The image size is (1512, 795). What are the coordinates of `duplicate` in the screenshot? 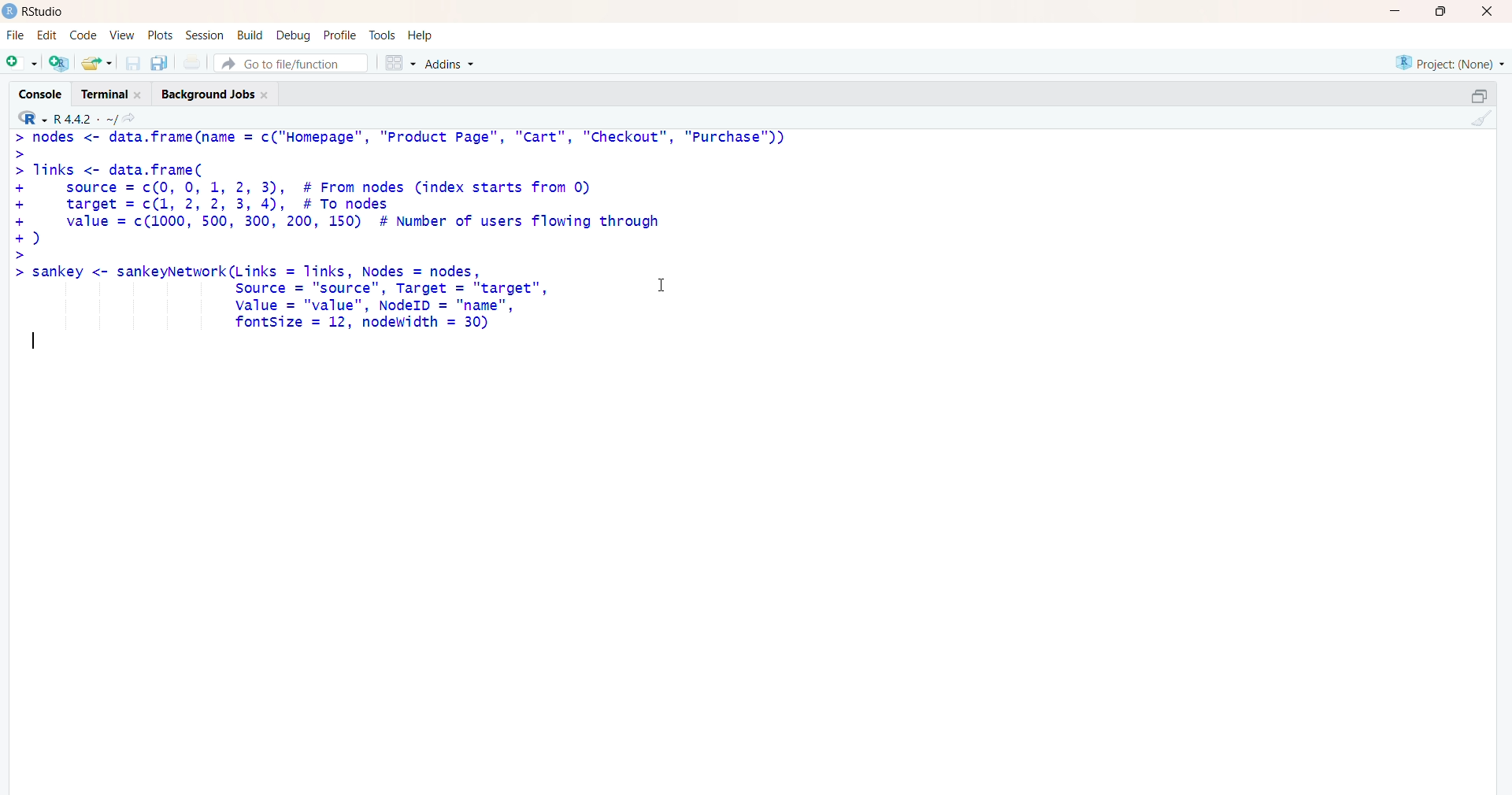 It's located at (161, 63).